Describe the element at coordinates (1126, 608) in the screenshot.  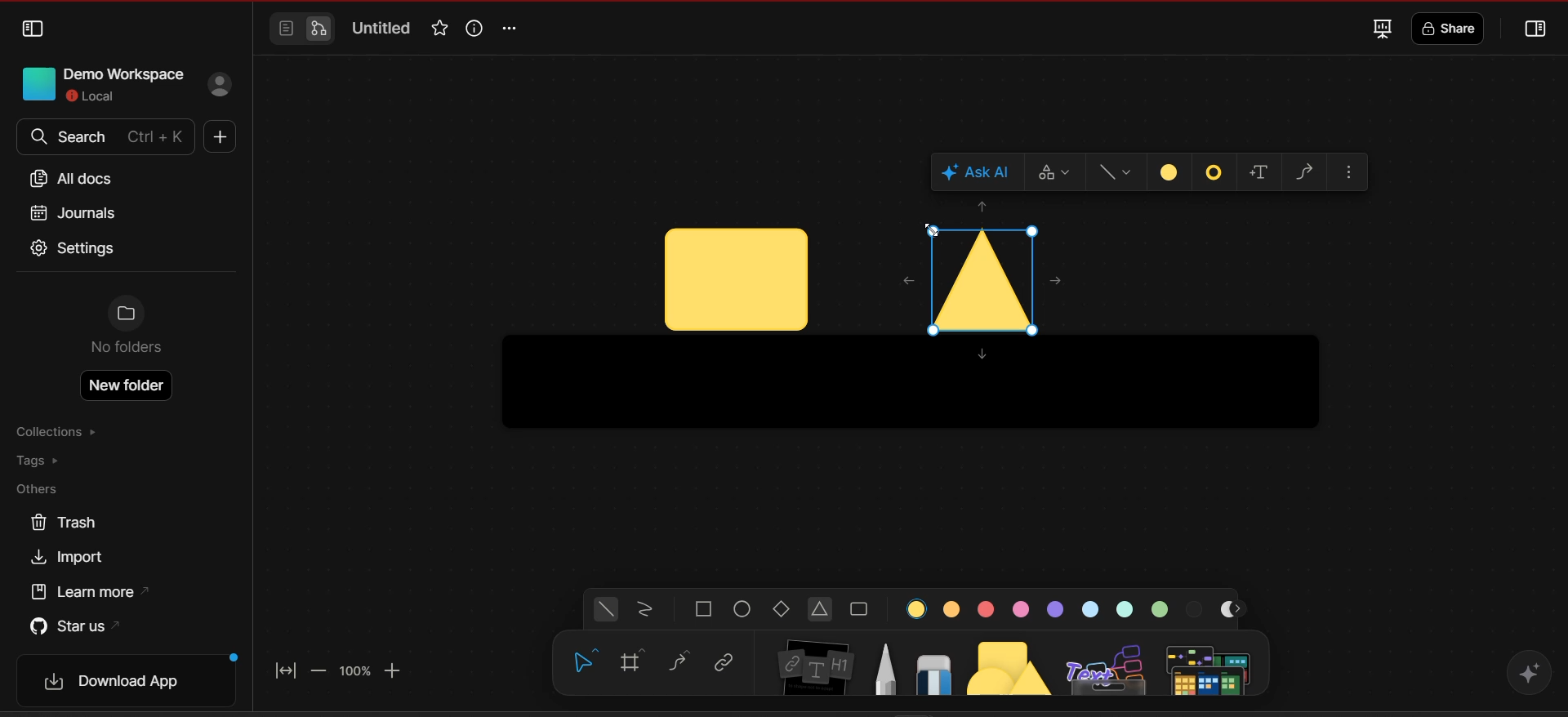
I see `color 7` at that location.